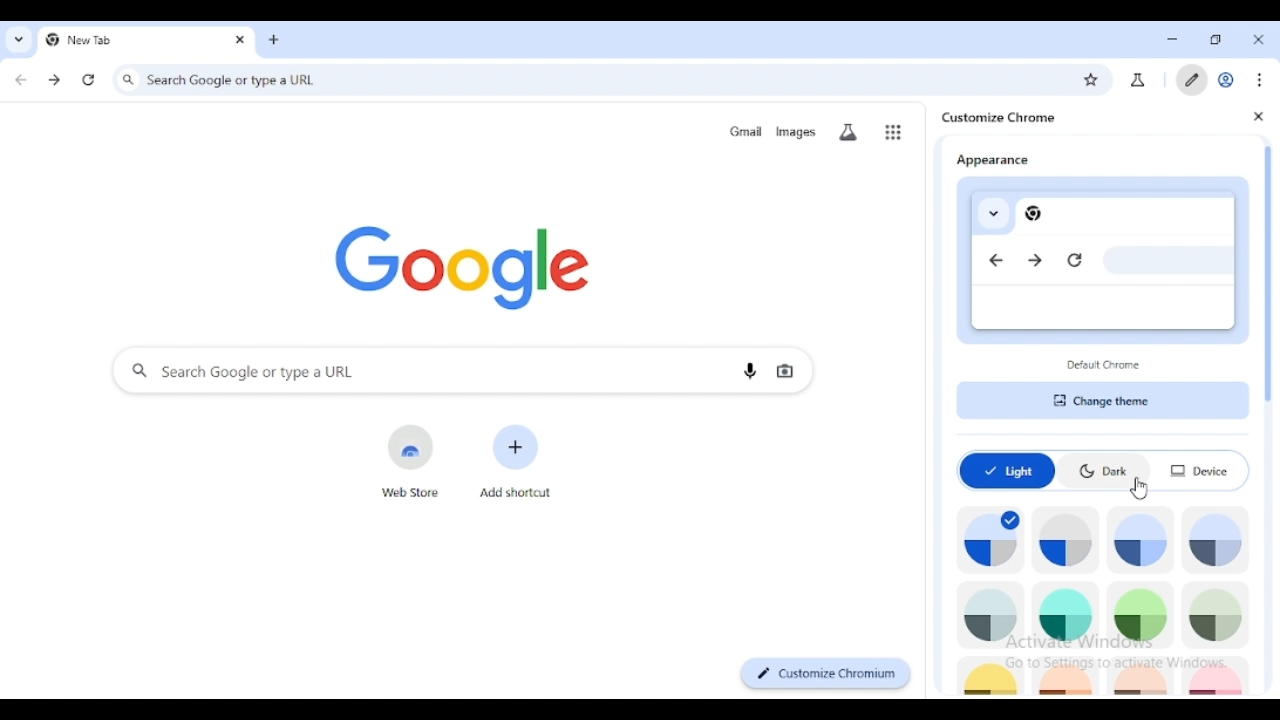  What do you see at coordinates (1261, 79) in the screenshot?
I see `customize and control chromium` at bounding box center [1261, 79].